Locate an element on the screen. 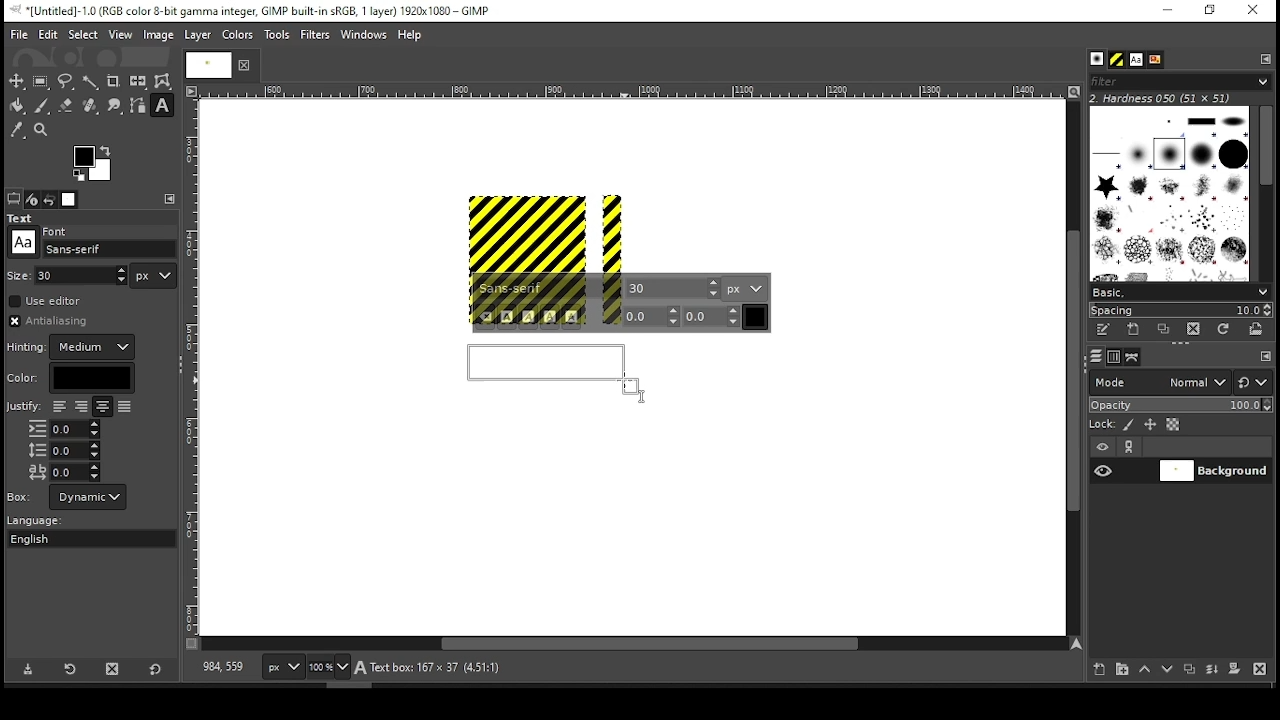 The height and width of the screenshot is (720, 1280). antialiasing is located at coordinates (54, 321).